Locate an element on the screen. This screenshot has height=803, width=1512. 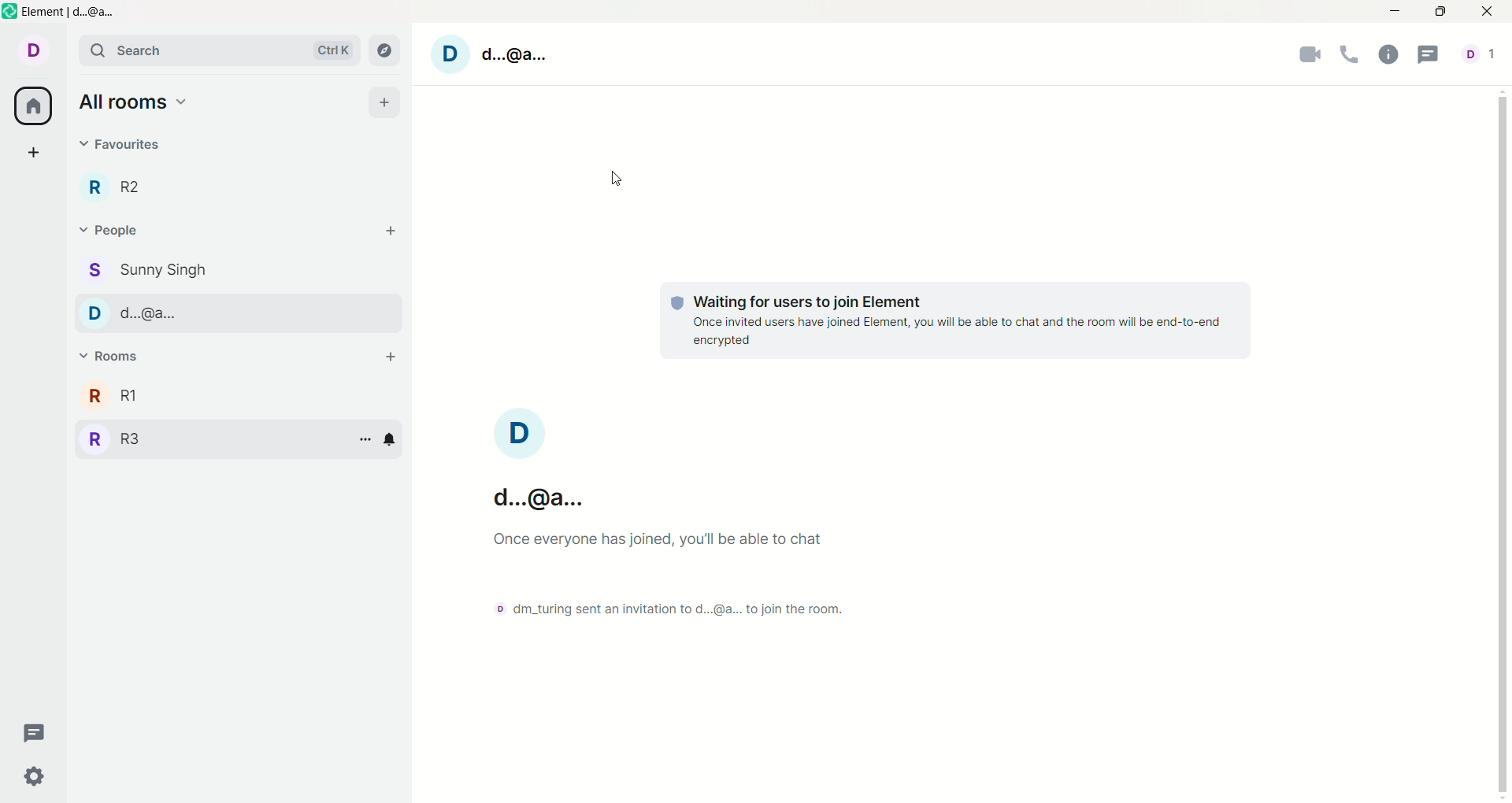
R3 room is located at coordinates (116, 439).